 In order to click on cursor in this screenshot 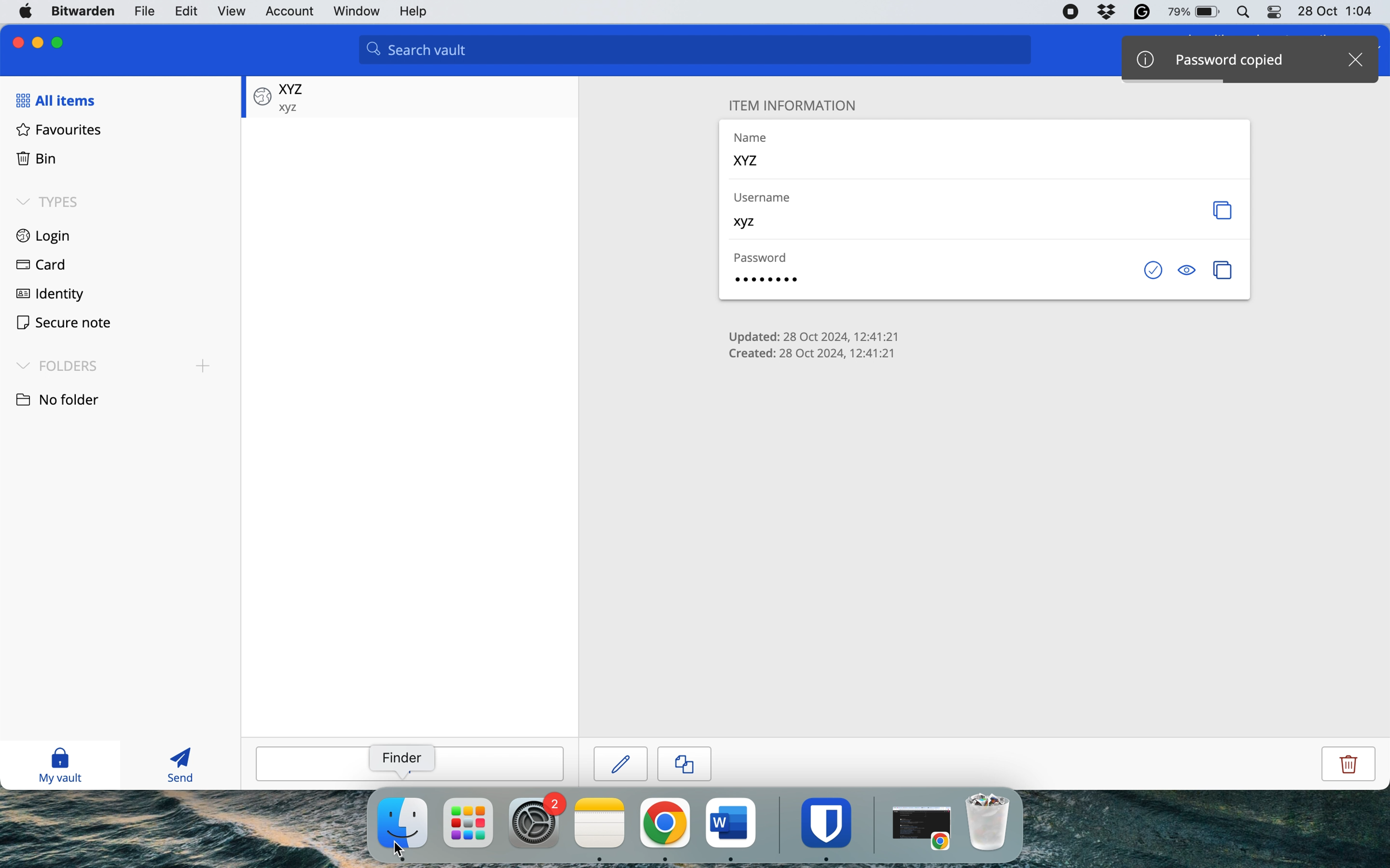, I will do `click(404, 848)`.